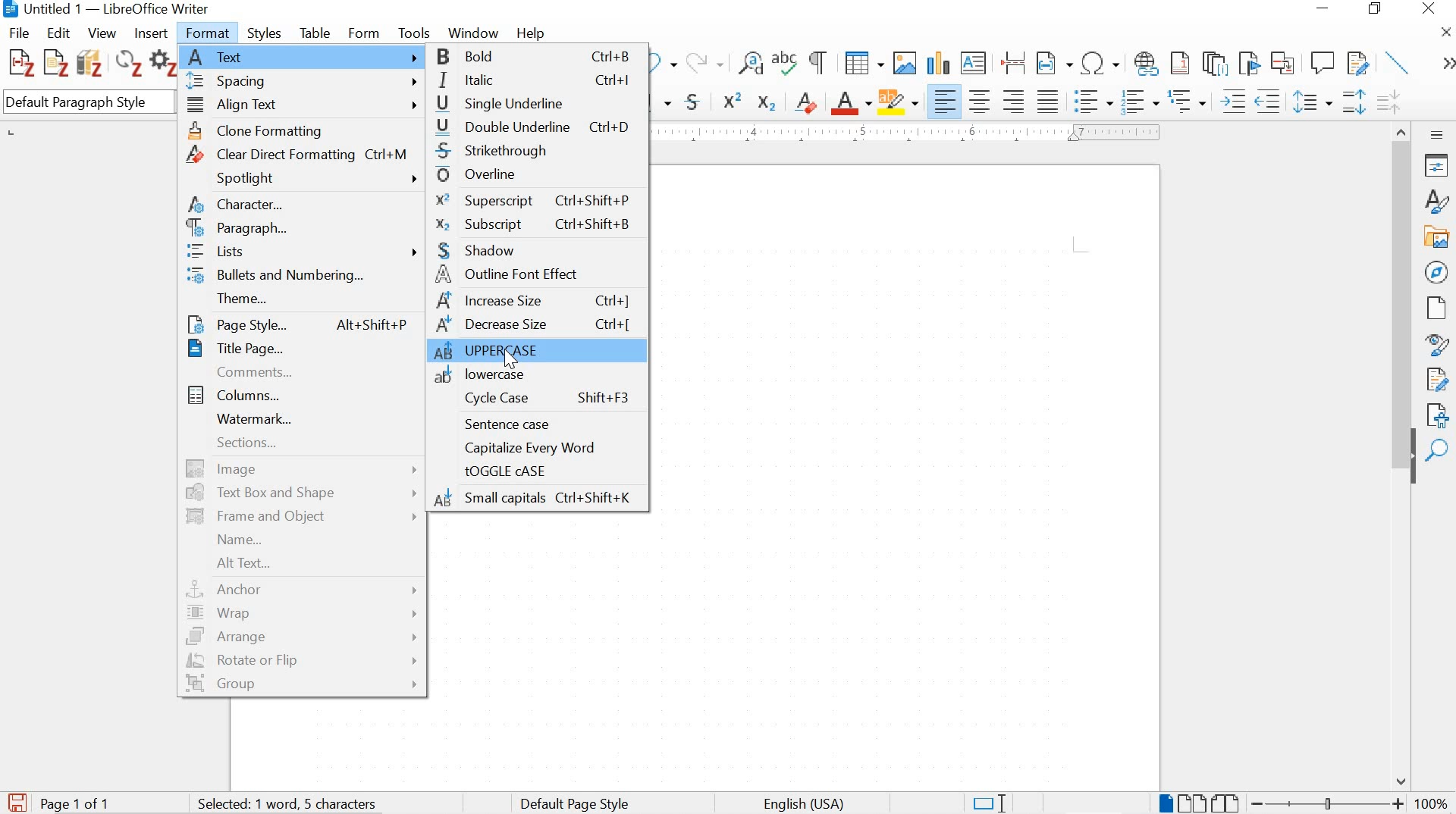 This screenshot has height=814, width=1456. I want to click on add note, so click(56, 61).